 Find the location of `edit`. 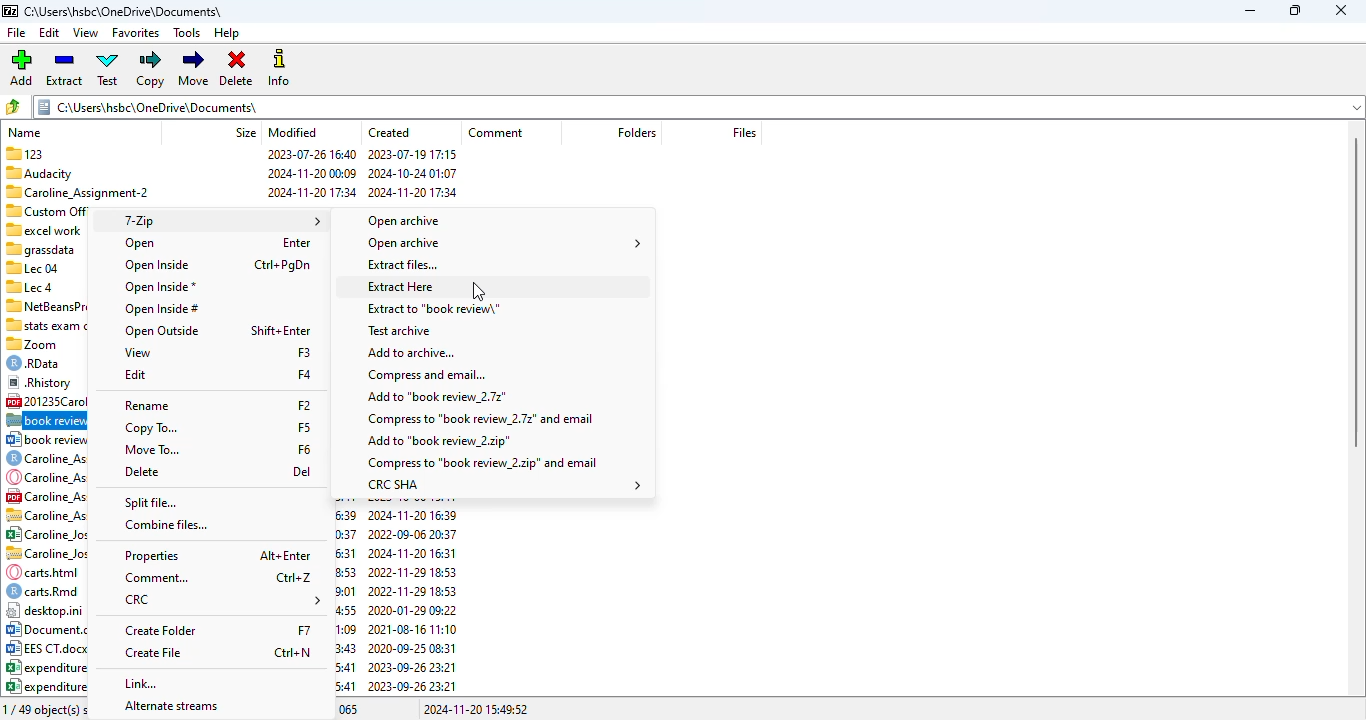

edit is located at coordinates (49, 32).